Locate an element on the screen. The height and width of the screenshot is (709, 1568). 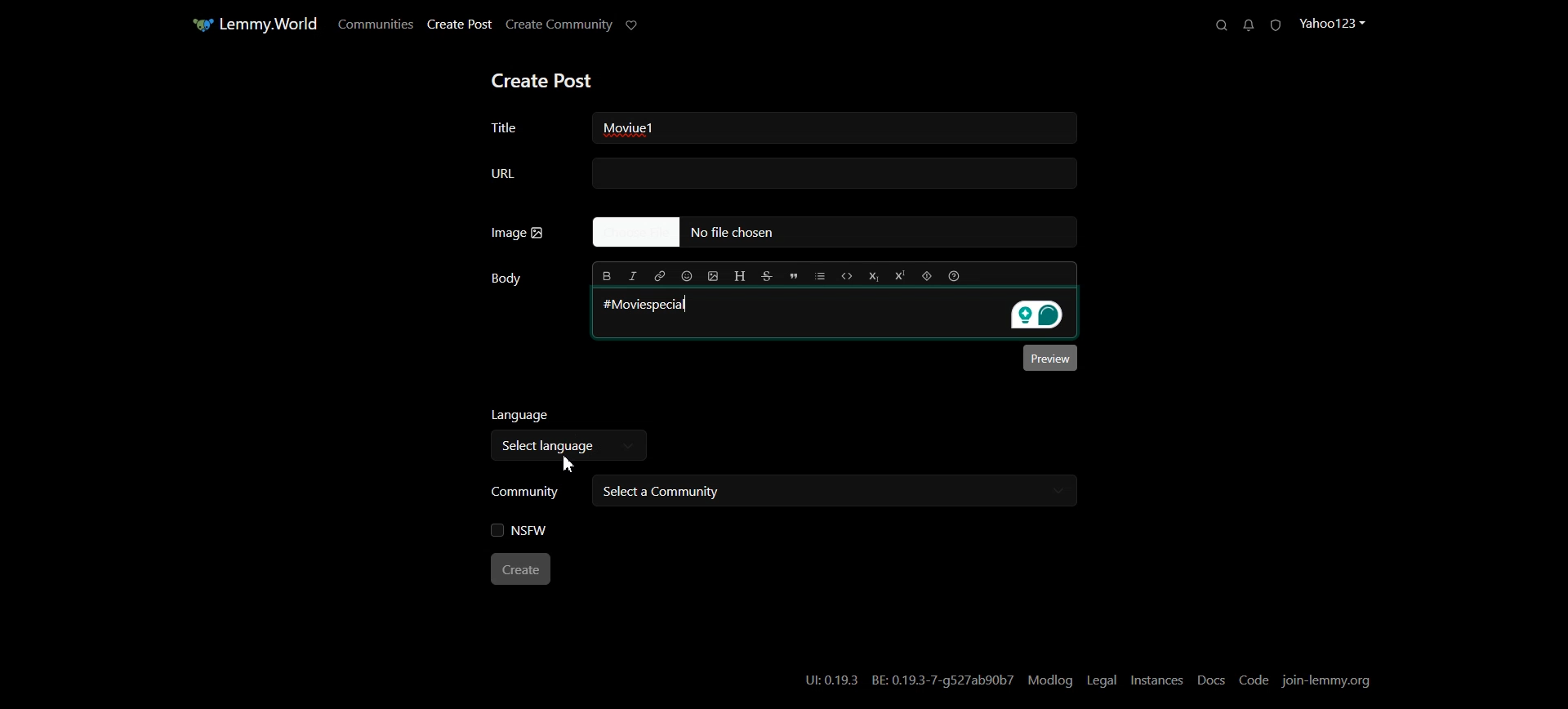
Upload Image is located at coordinates (714, 276).